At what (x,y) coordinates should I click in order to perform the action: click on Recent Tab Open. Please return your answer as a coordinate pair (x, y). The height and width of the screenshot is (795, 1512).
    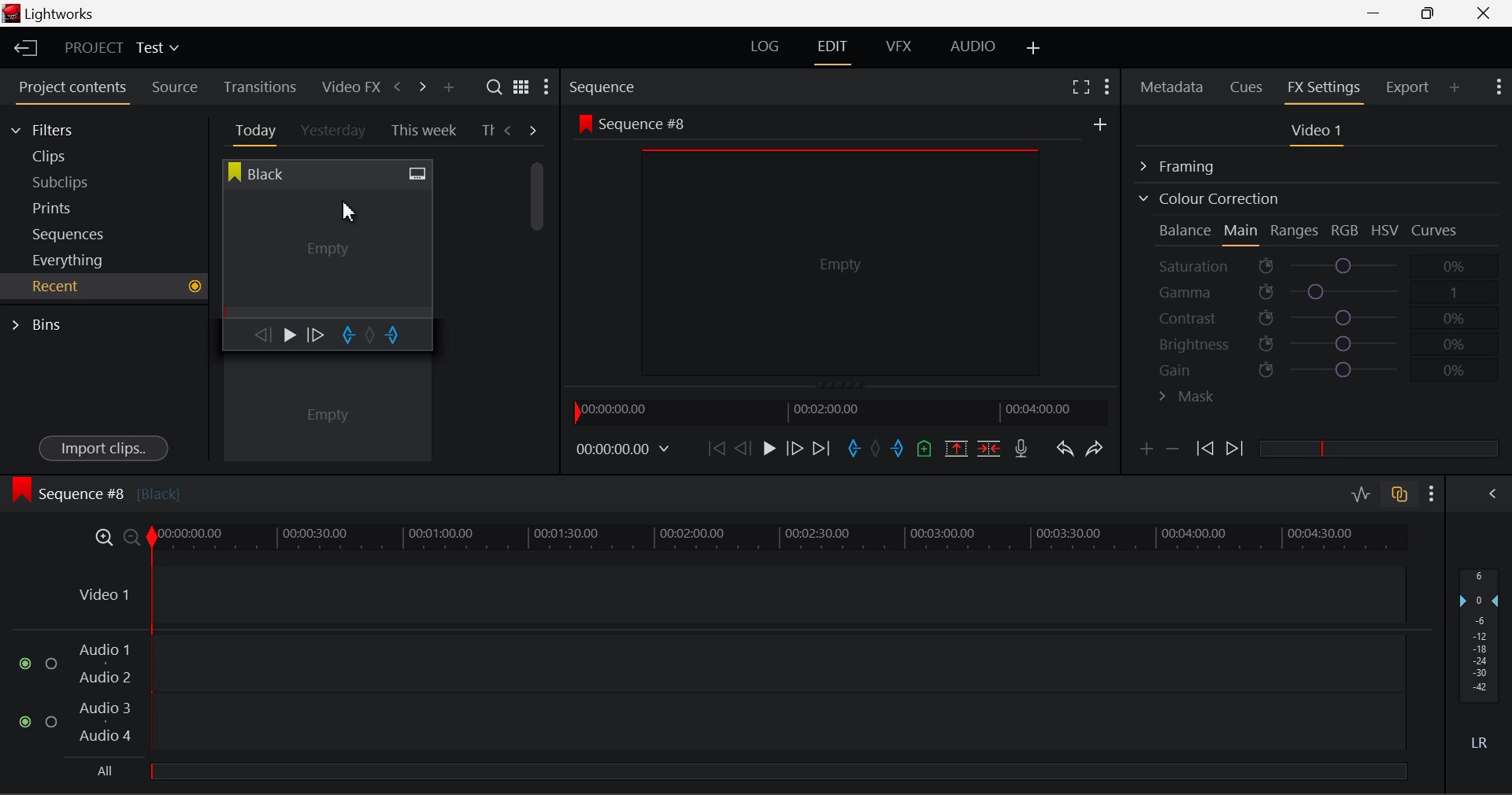
    Looking at the image, I should click on (104, 287).